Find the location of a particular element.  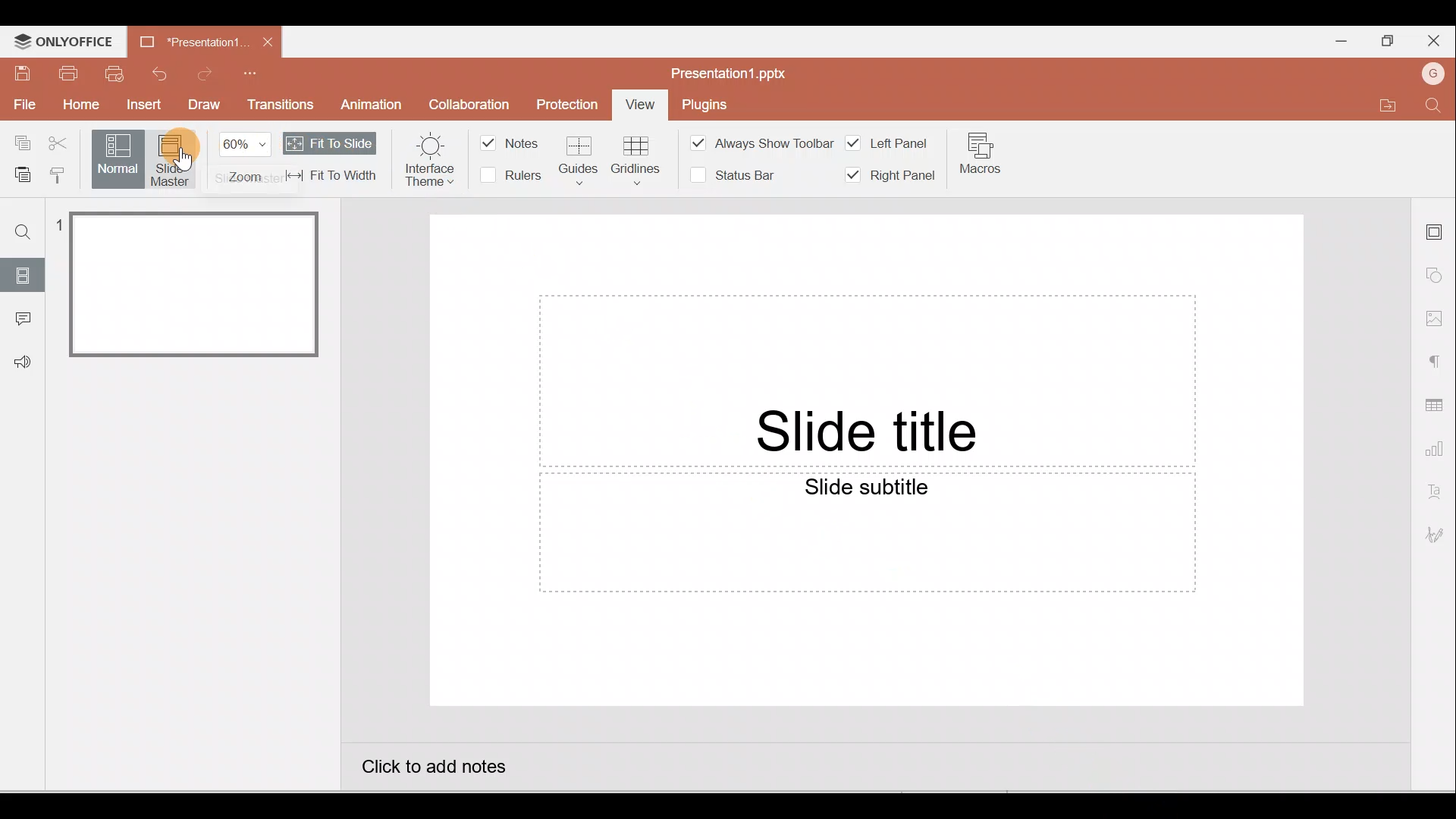

Minimise is located at coordinates (1336, 40).